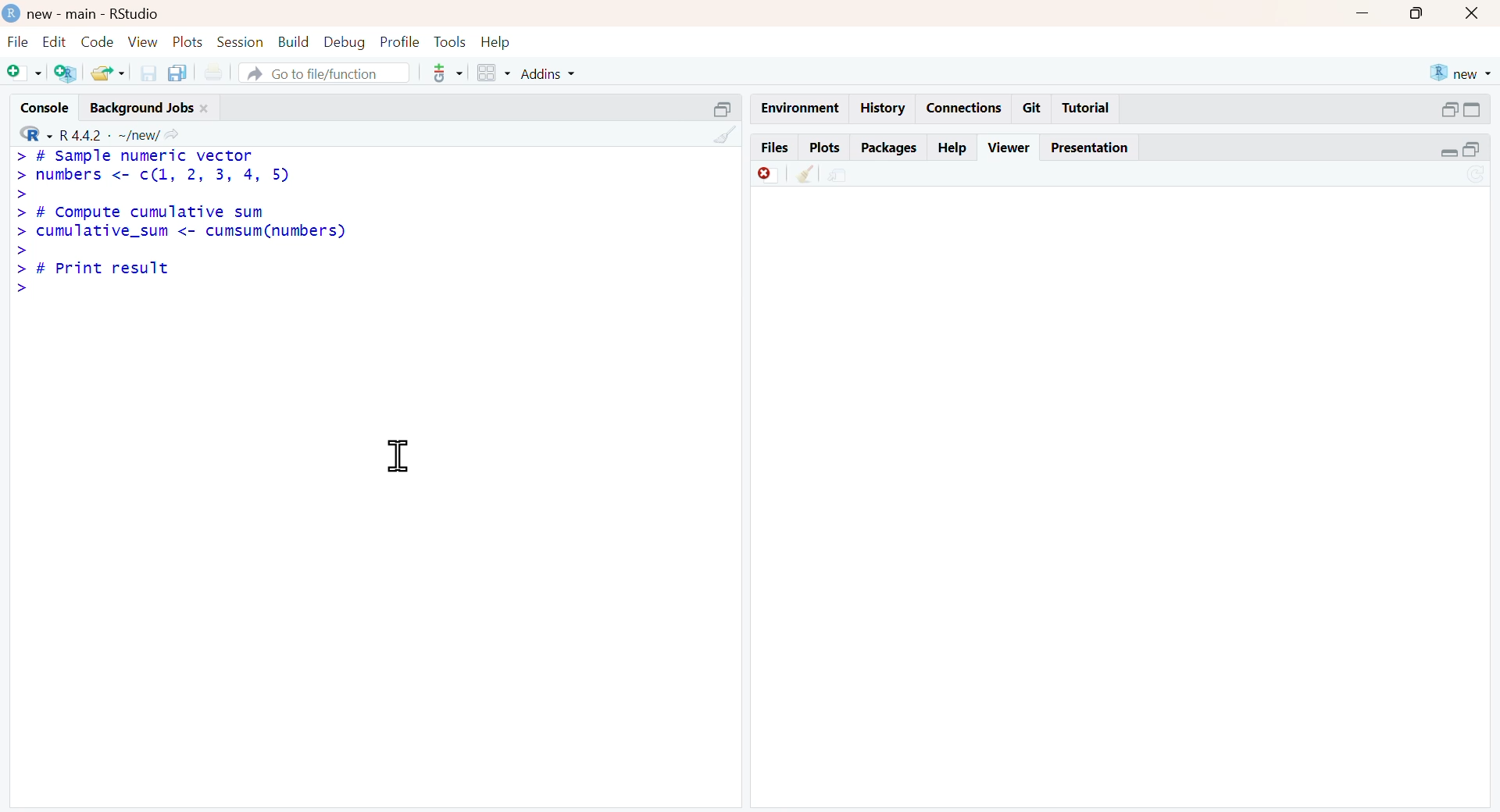 This screenshot has width=1500, height=812. What do you see at coordinates (295, 41) in the screenshot?
I see `build` at bounding box center [295, 41].